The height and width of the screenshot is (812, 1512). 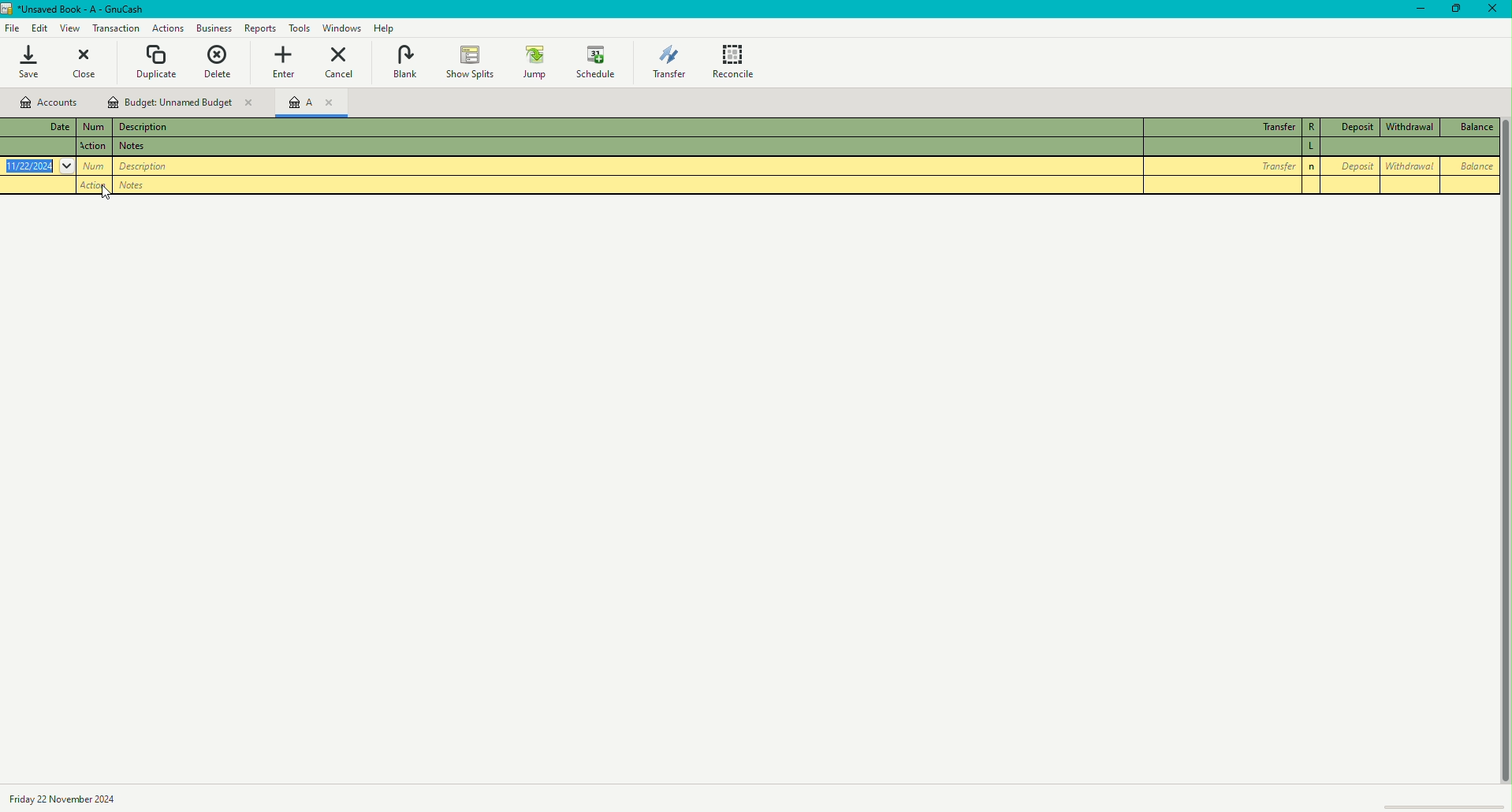 What do you see at coordinates (12, 27) in the screenshot?
I see `File` at bounding box center [12, 27].